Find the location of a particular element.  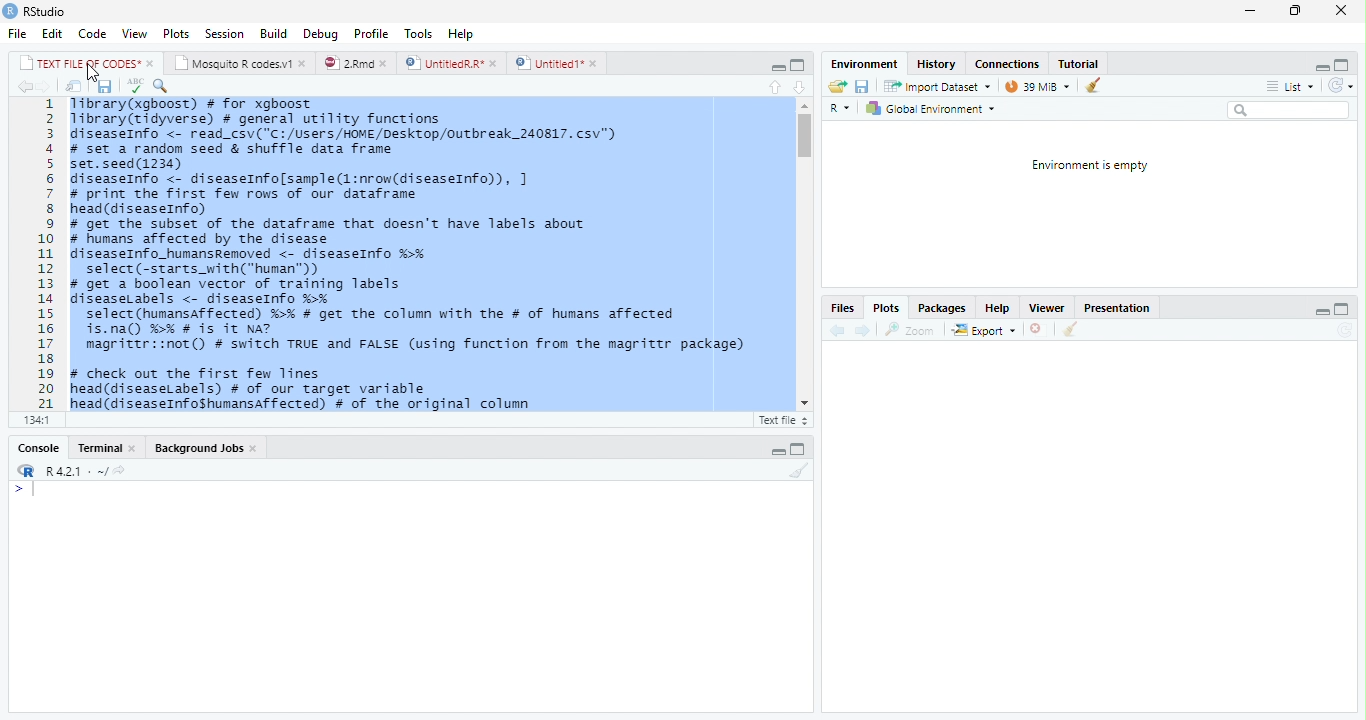

Find/Replace is located at coordinates (233, 85).